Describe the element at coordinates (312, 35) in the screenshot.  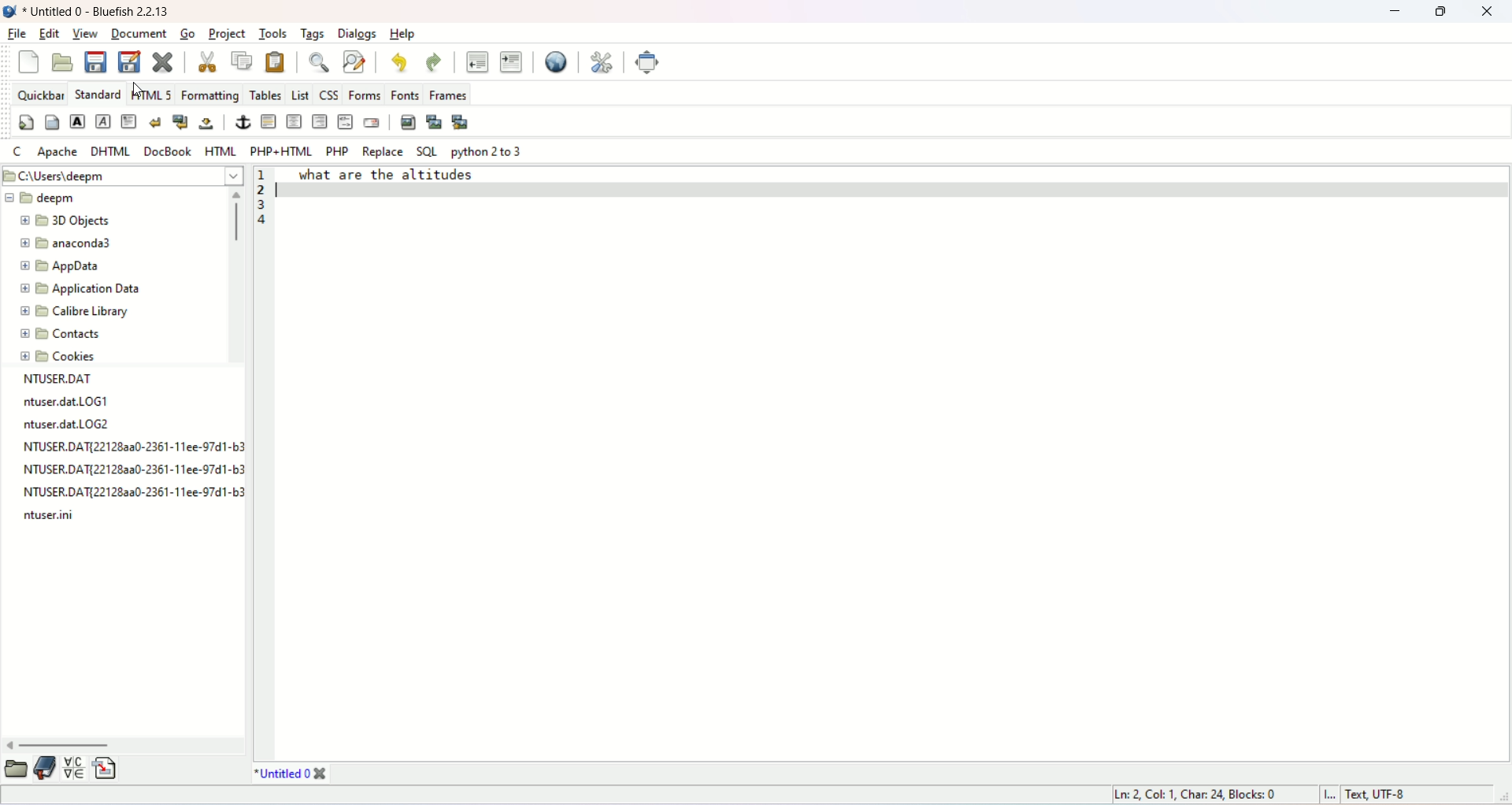
I see `tags` at that location.